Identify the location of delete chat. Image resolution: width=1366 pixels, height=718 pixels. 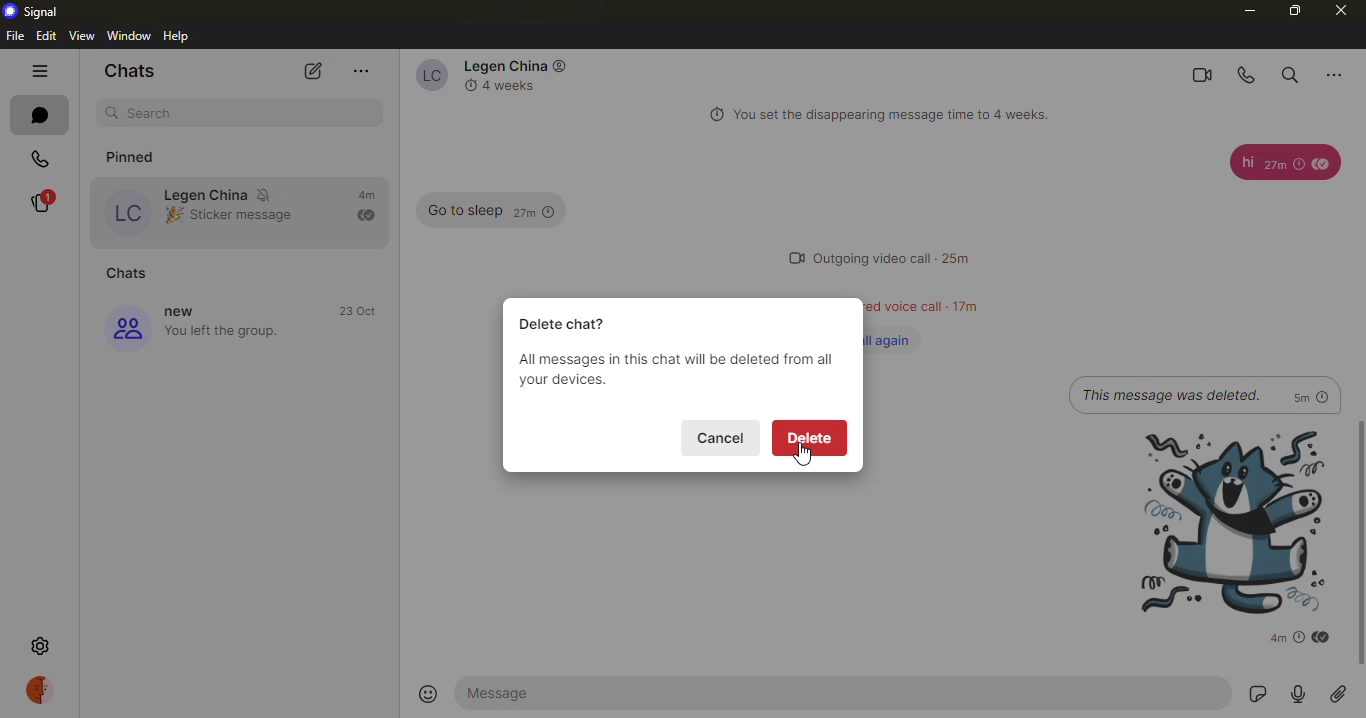
(568, 323).